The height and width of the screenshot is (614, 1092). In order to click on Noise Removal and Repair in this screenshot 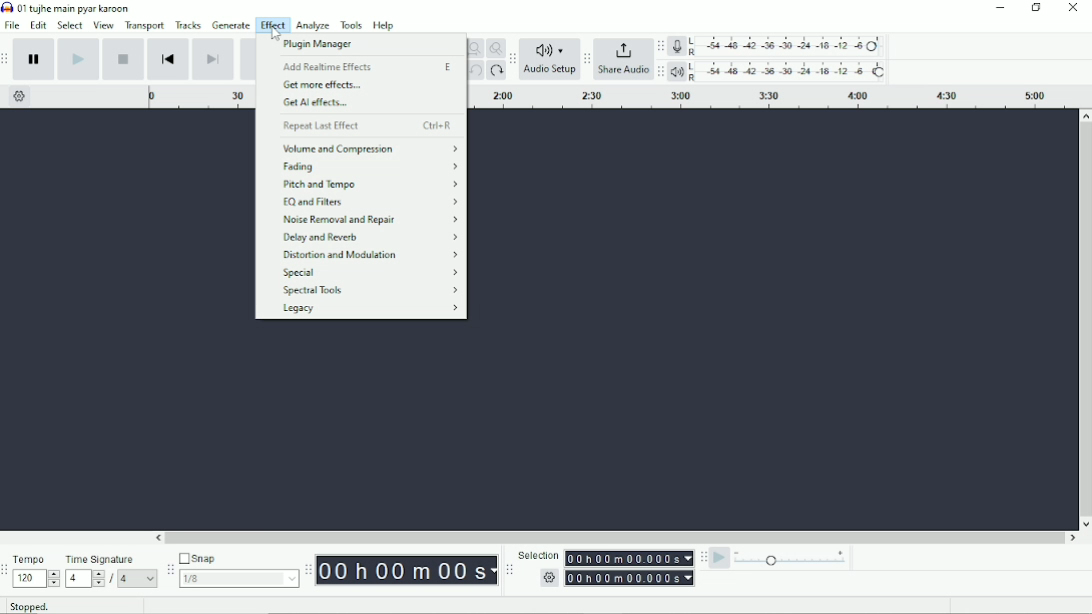, I will do `click(369, 219)`.